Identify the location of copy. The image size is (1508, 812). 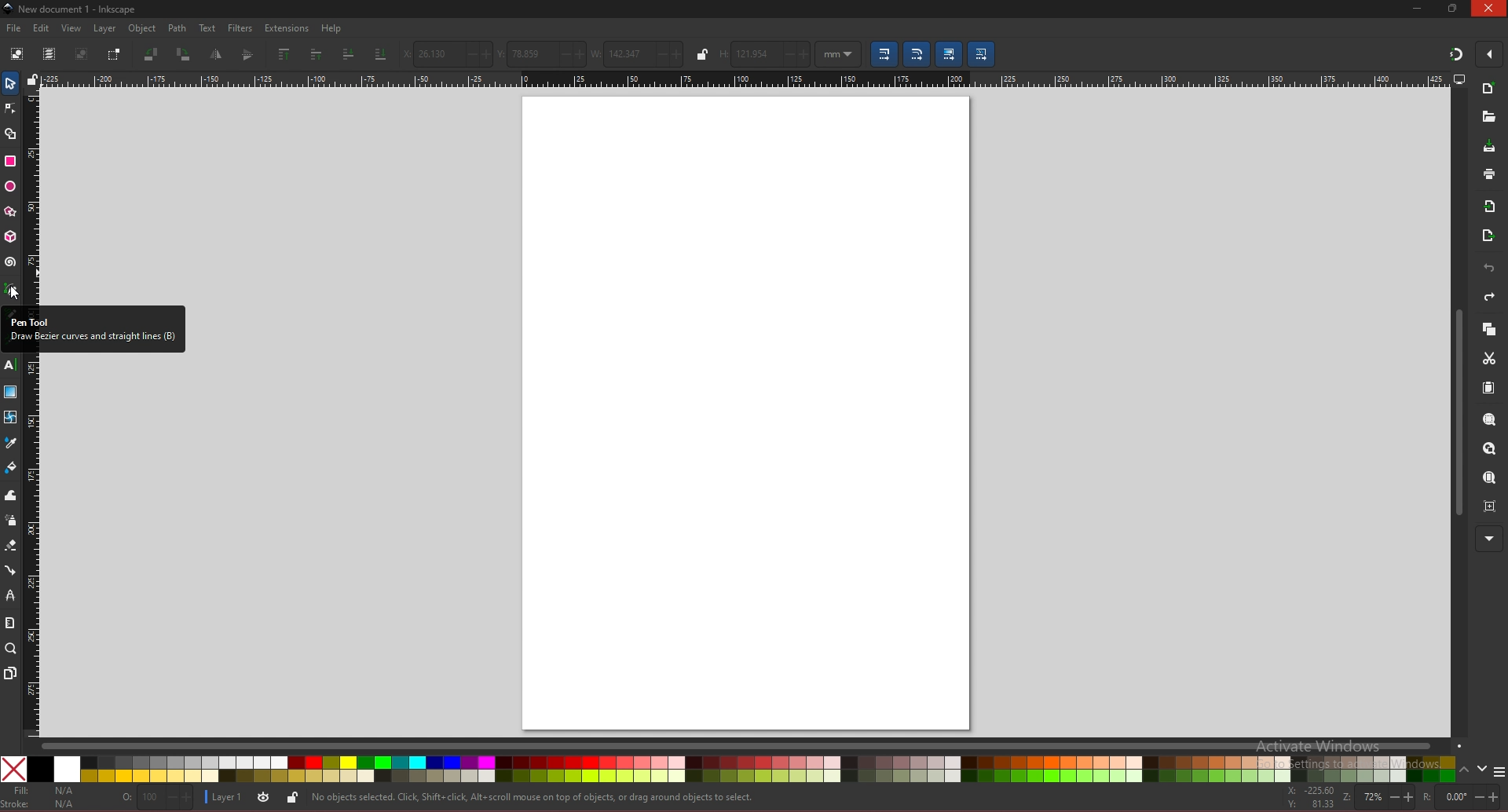
(1488, 330).